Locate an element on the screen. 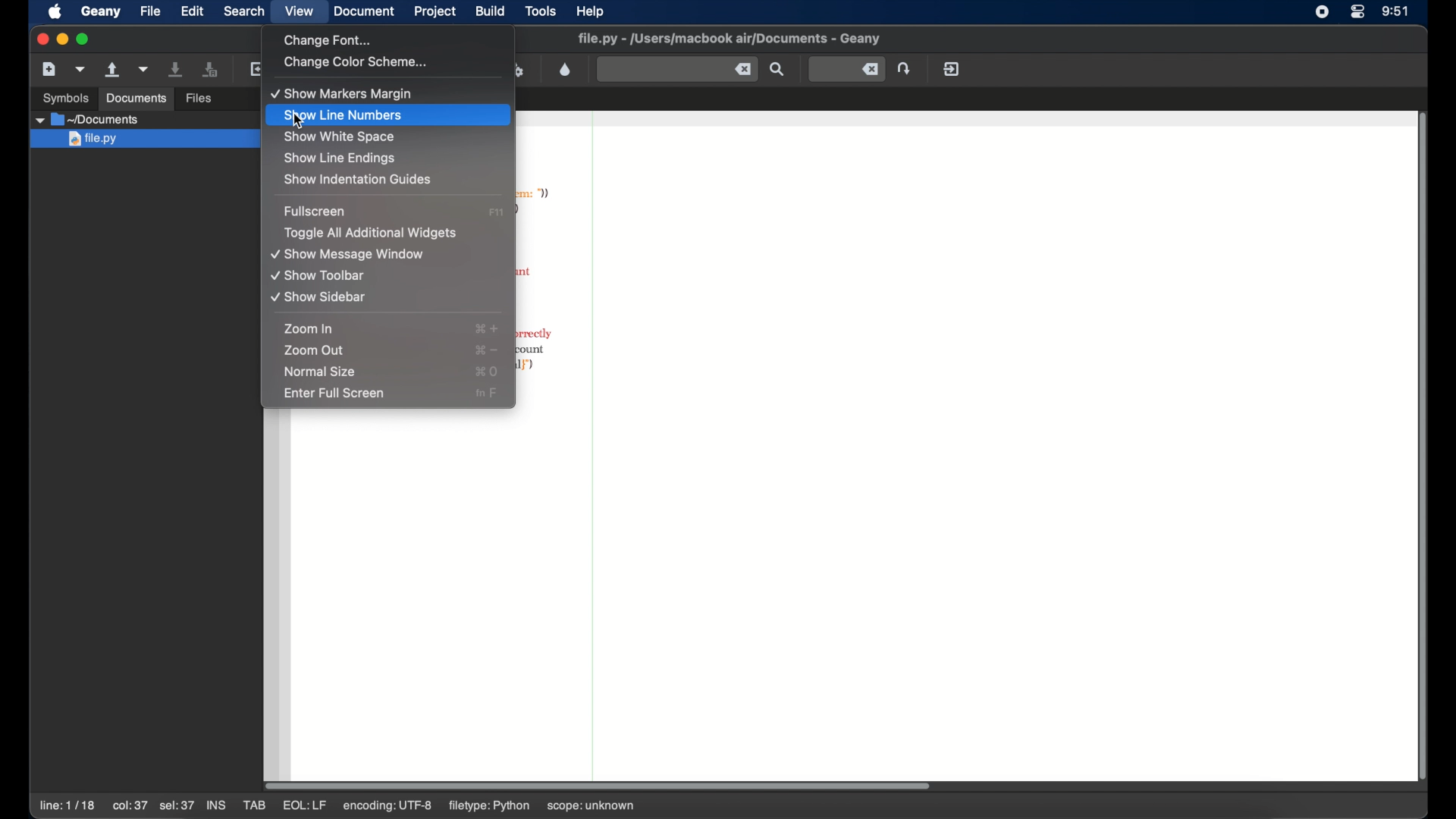 The height and width of the screenshot is (819, 1456). file name is located at coordinates (728, 39).